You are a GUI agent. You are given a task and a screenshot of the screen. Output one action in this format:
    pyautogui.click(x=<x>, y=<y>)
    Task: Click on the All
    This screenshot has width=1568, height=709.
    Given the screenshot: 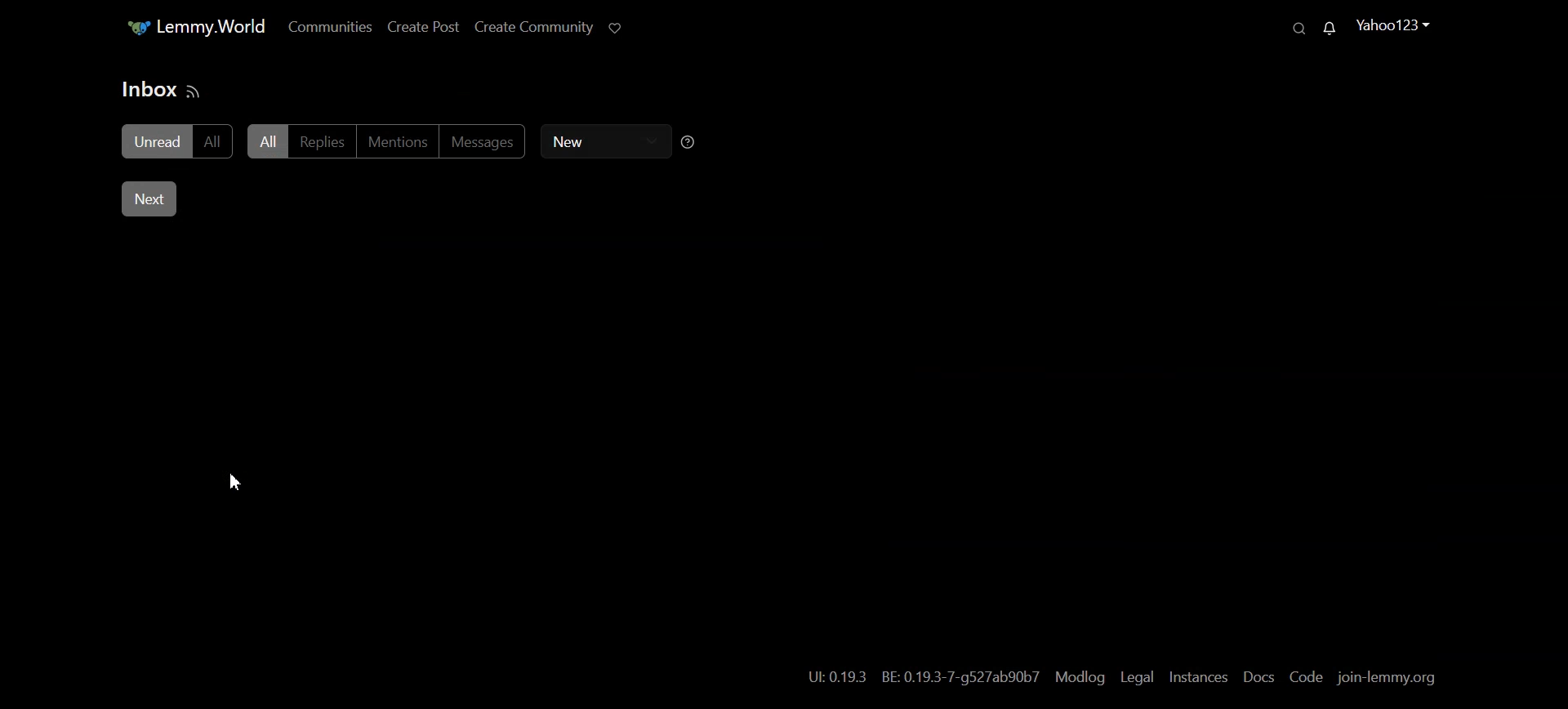 What is the action you would take?
    pyautogui.click(x=216, y=143)
    